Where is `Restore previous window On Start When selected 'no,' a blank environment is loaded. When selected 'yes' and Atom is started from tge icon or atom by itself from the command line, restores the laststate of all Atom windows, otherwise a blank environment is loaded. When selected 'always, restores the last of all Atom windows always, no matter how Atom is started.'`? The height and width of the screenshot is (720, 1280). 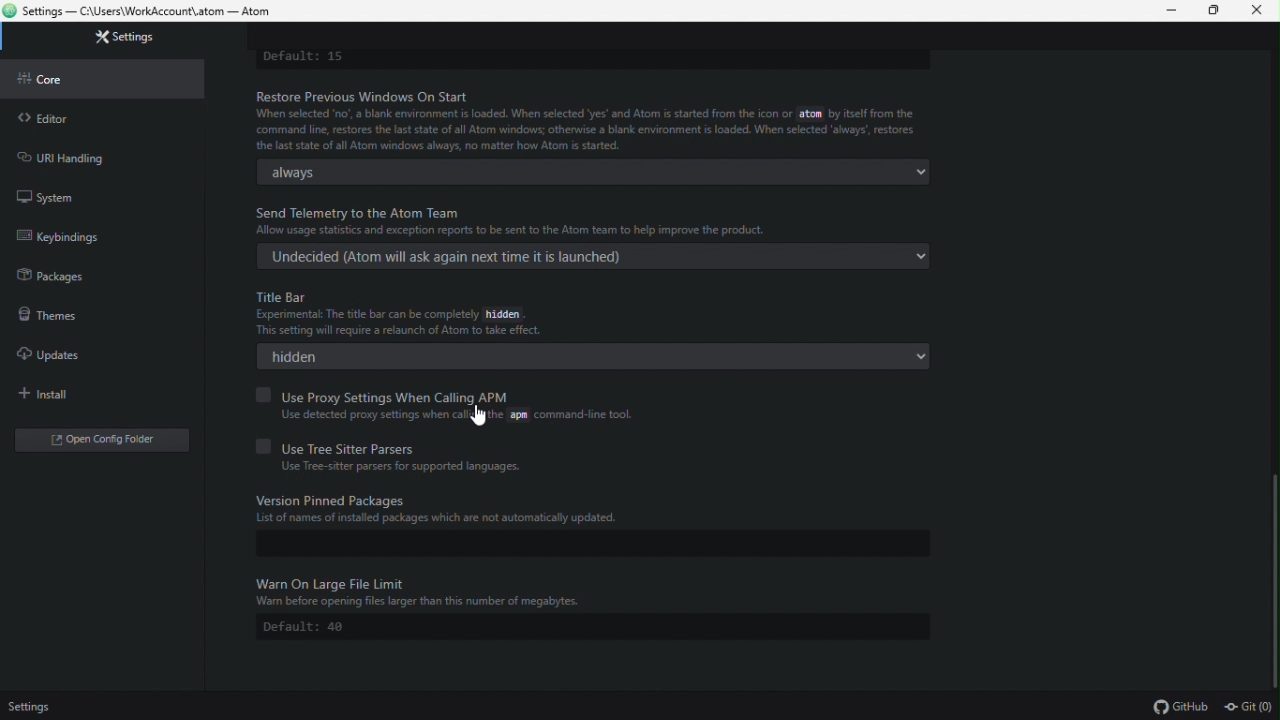 Restore previous window On Start When selected 'no,' a blank environment is loaded. When selected 'yes' and Atom is started from tge icon or atom by itself from the command line, restores the laststate of all Atom windows, otherwise a blank environment is loaded. When selected 'always, restores the last of all Atom windows always, no matter how Atom is started.' is located at coordinates (585, 119).